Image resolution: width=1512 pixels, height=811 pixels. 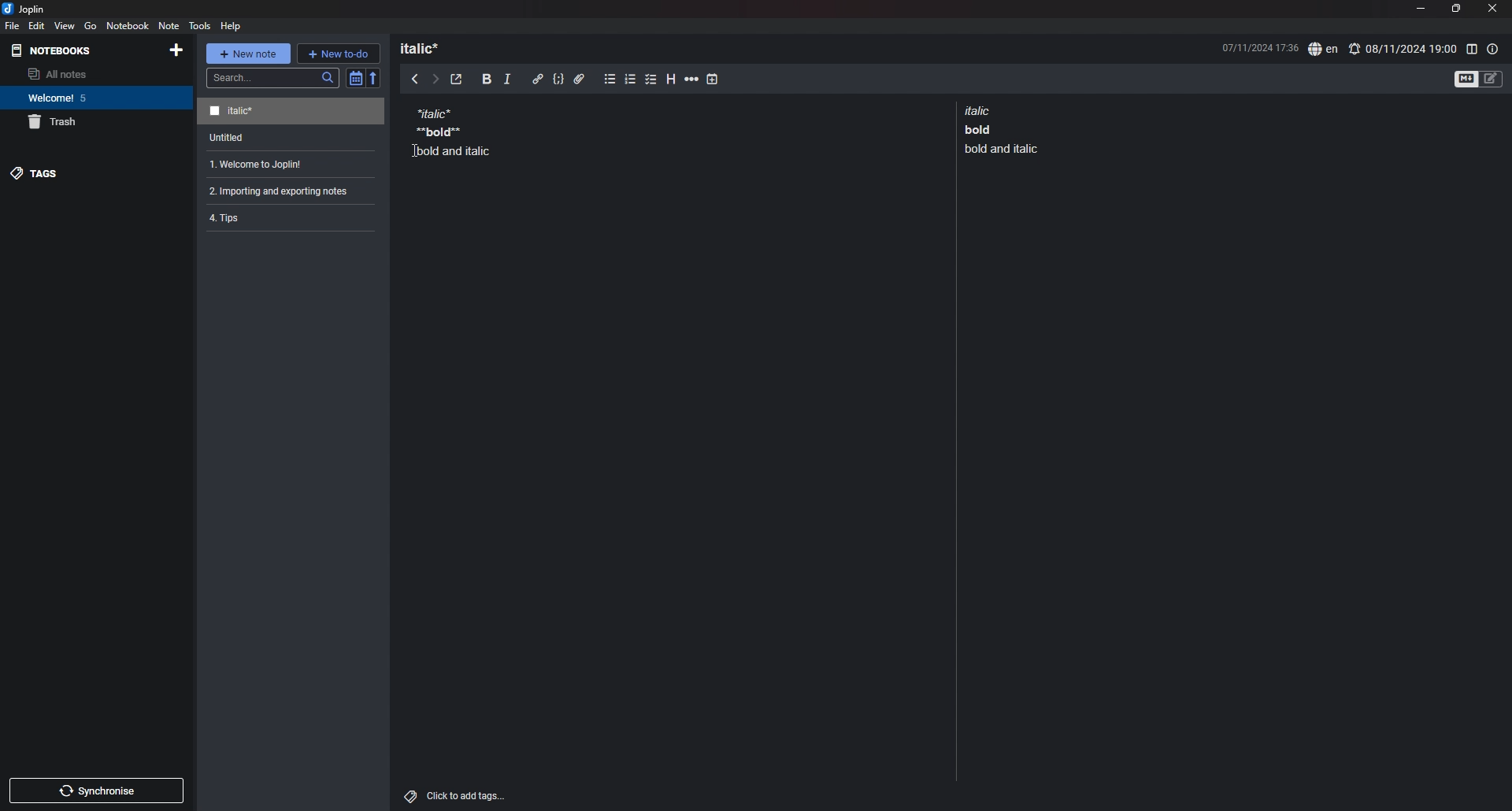 What do you see at coordinates (1471, 49) in the screenshot?
I see `toggle editor layout` at bounding box center [1471, 49].